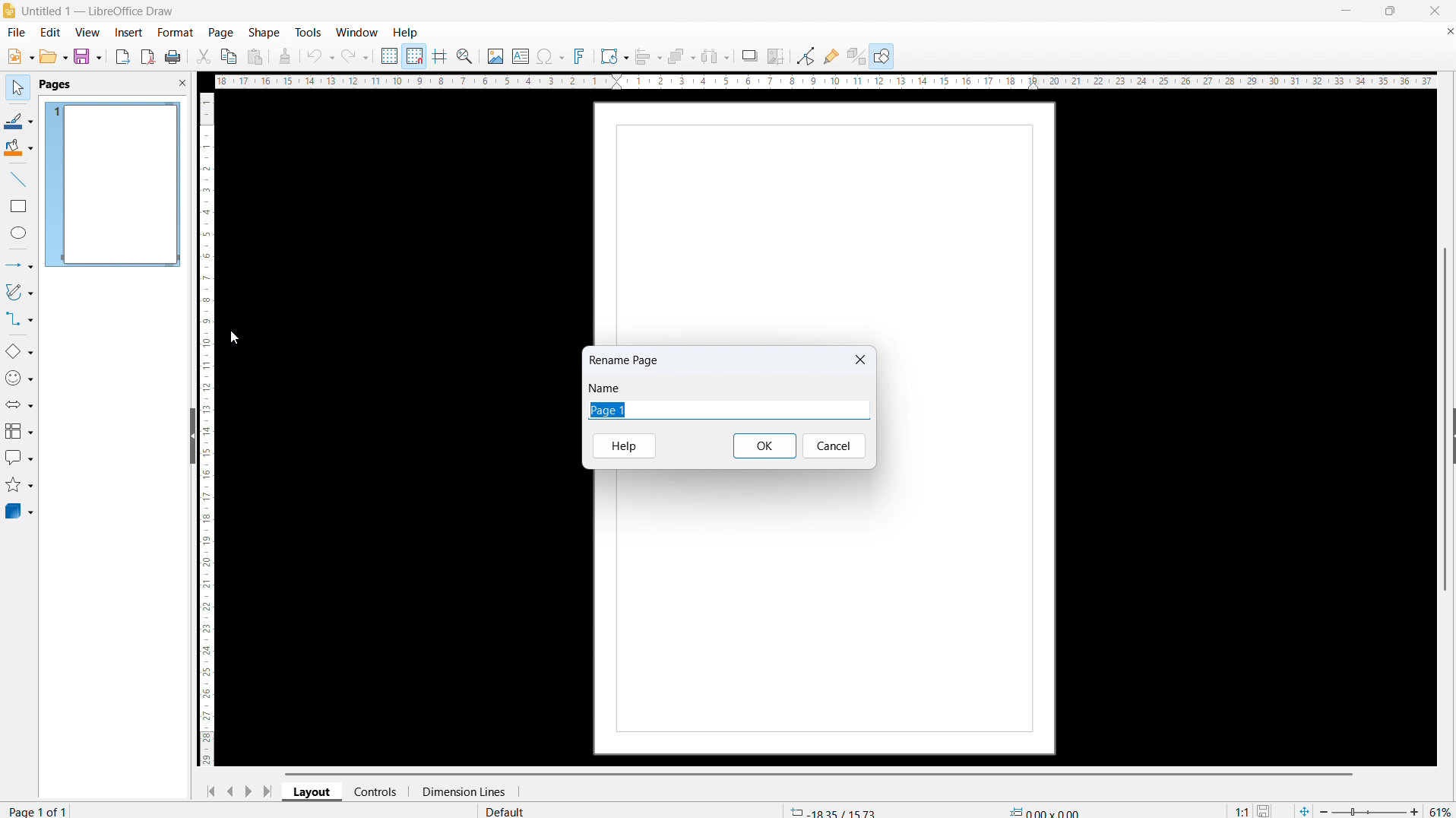  What do you see at coordinates (20, 233) in the screenshot?
I see `ellipse` at bounding box center [20, 233].